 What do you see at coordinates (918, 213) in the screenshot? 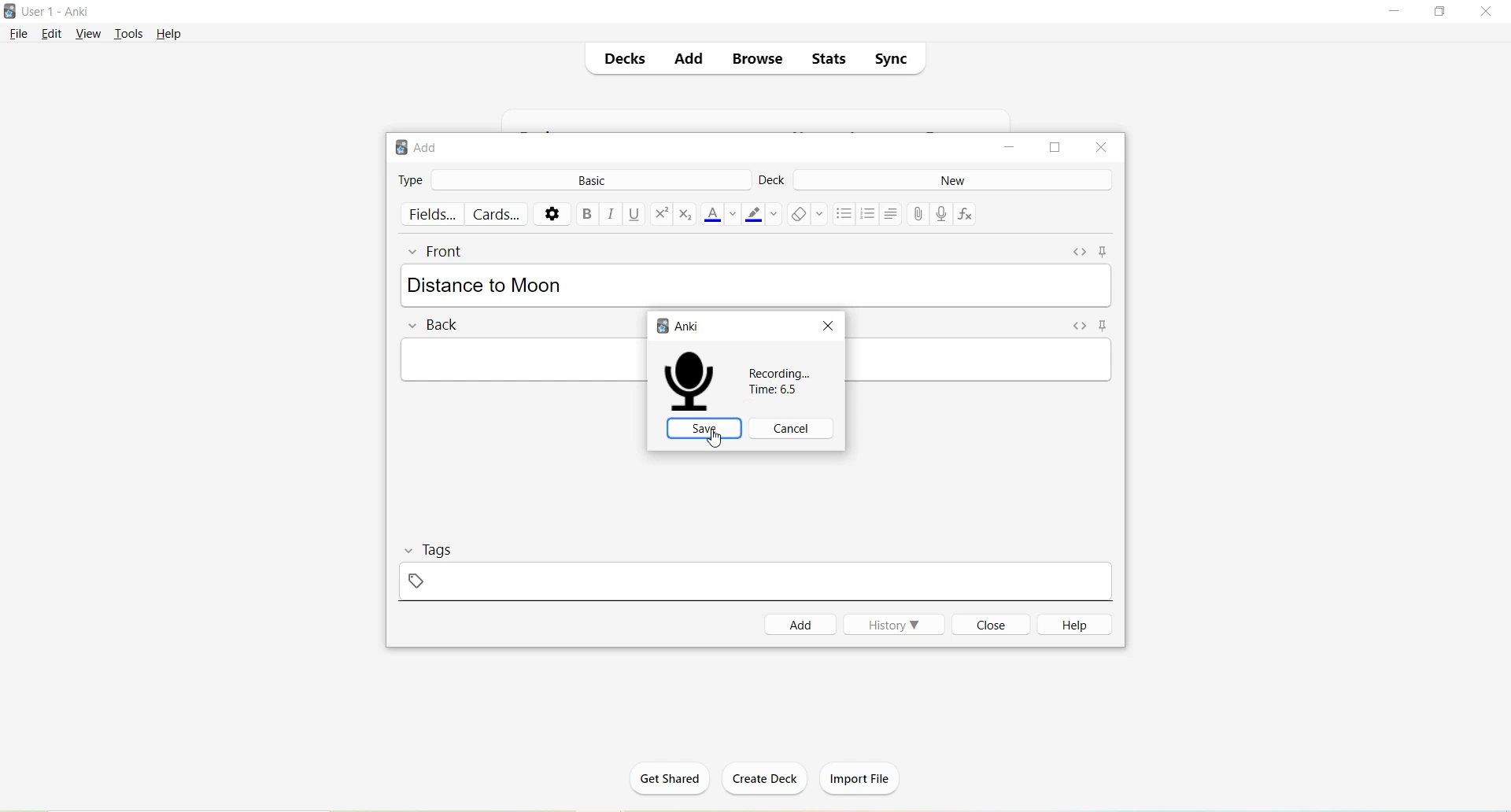
I see `Attach pictures/audio/video` at bounding box center [918, 213].